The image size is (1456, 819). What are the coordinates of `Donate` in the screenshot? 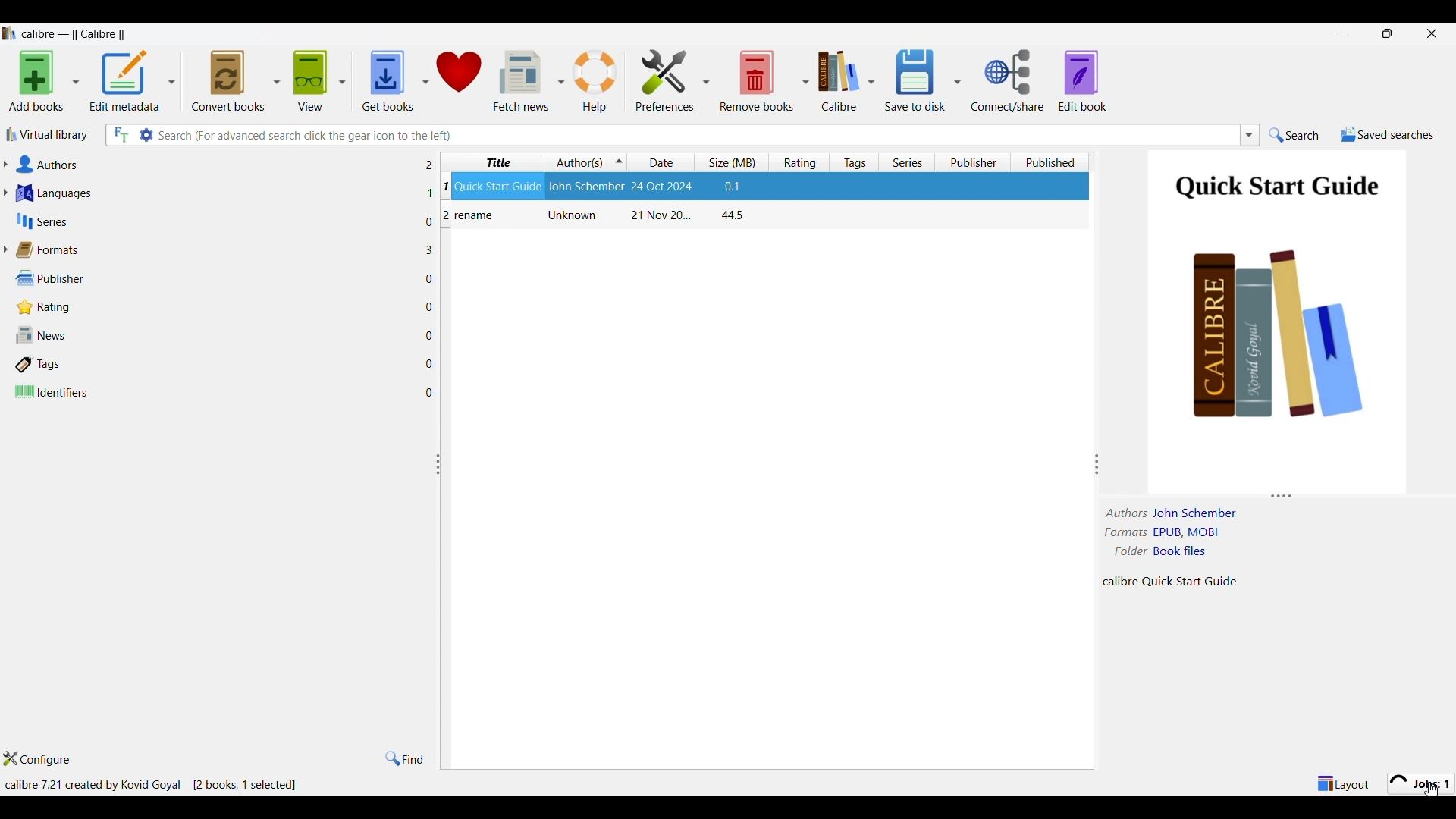 It's located at (460, 80).